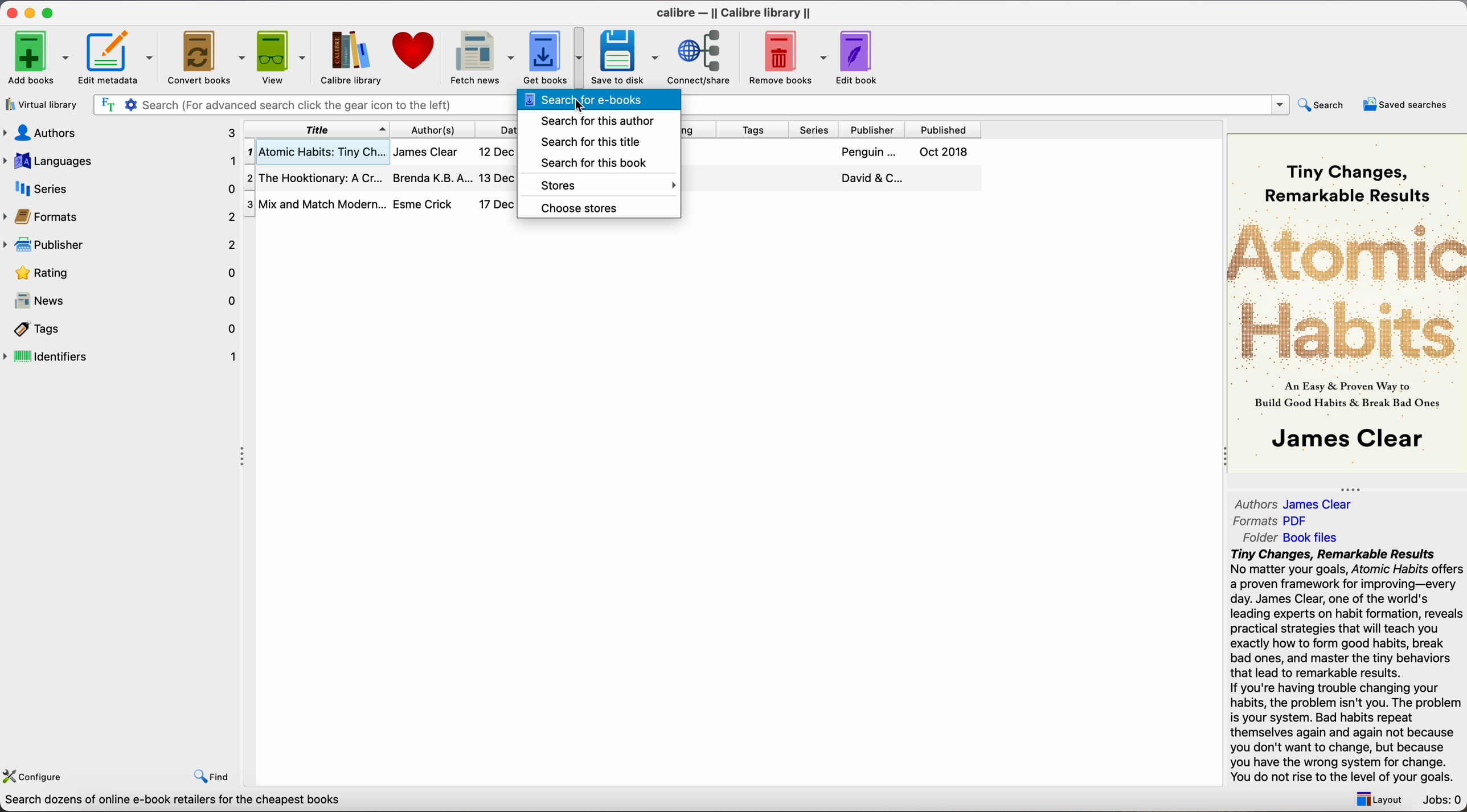 The width and height of the screenshot is (1467, 812). Describe the element at coordinates (315, 153) in the screenshot. I see `Atomic Habits: Tiny Ch...` at that location.